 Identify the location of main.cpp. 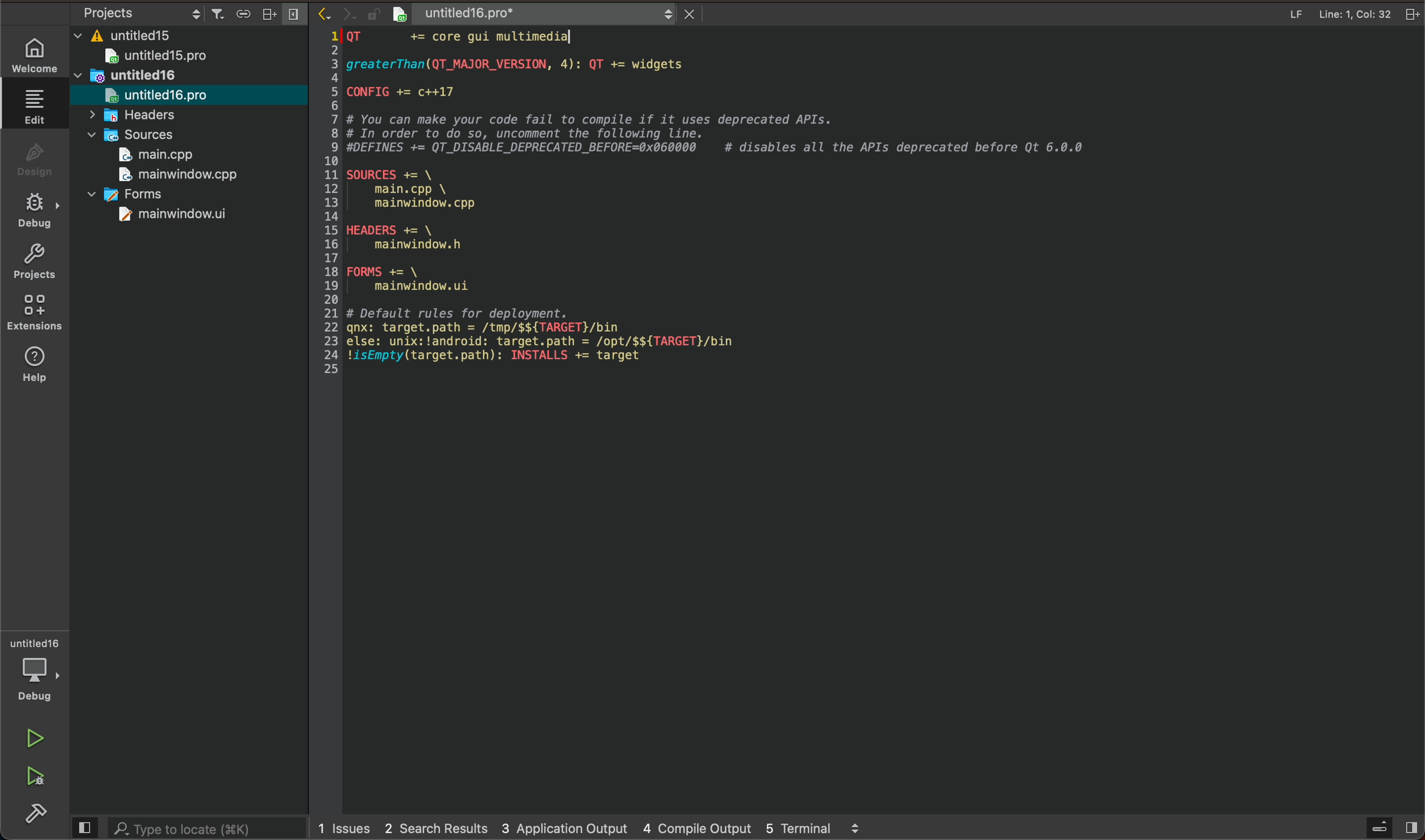
(160, 156).